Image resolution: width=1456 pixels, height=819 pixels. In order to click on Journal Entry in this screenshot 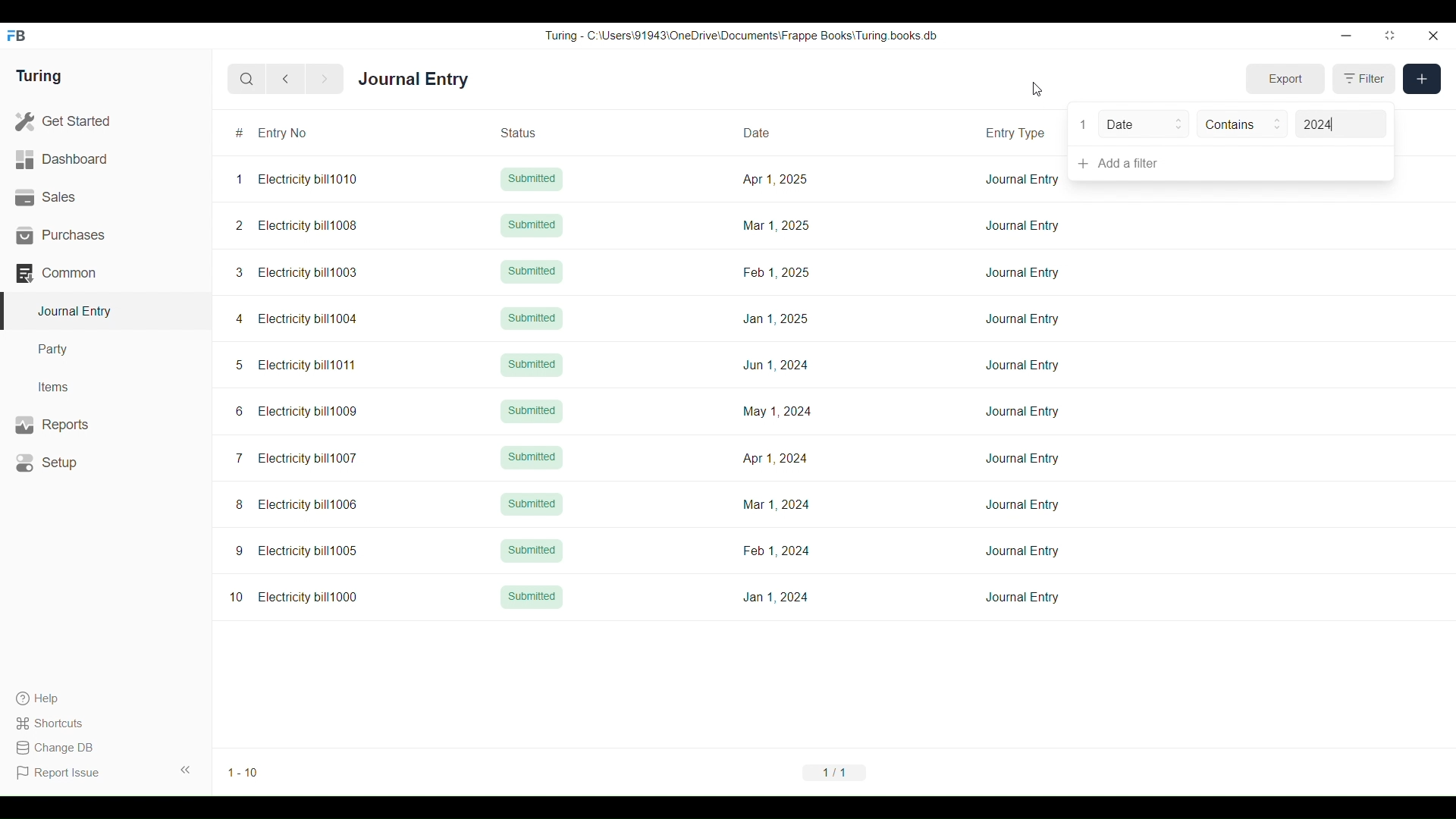, I will do `click(1022, 179)`.